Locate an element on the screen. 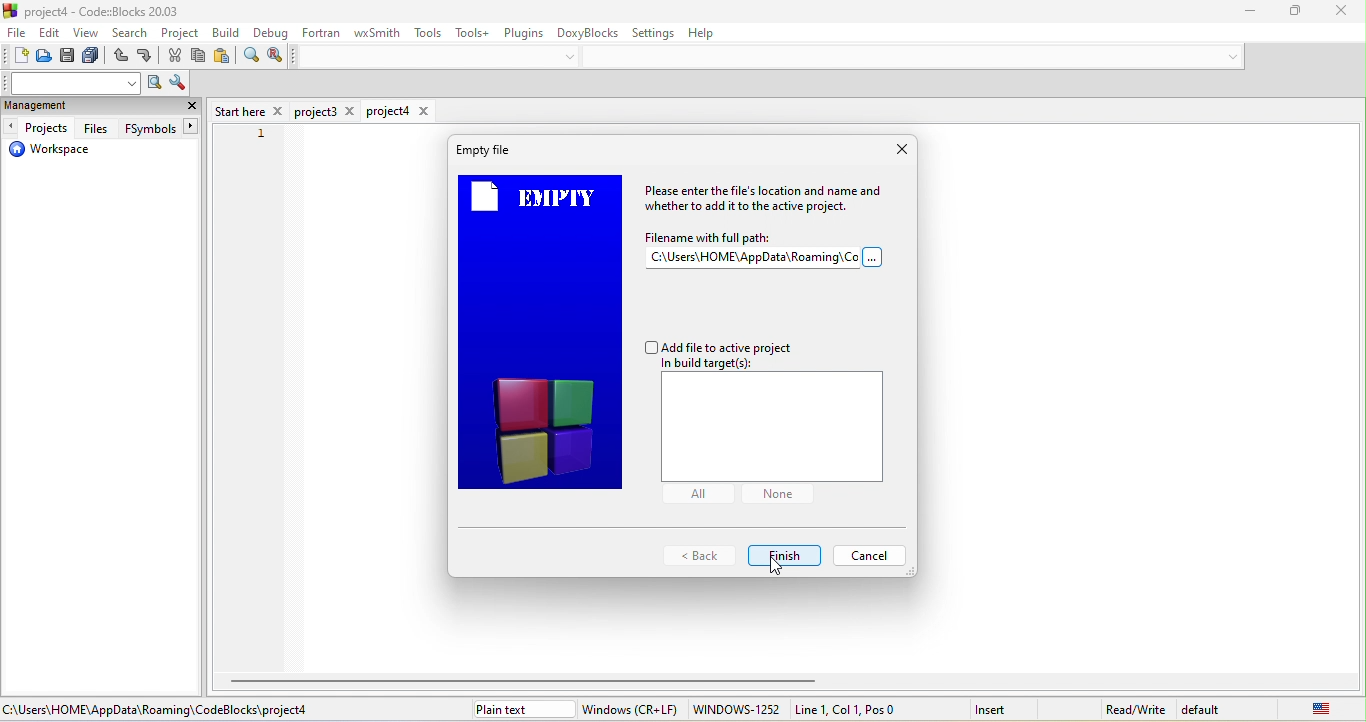 The image size is (1366, 722). default is located at coordinates (1208, 708).